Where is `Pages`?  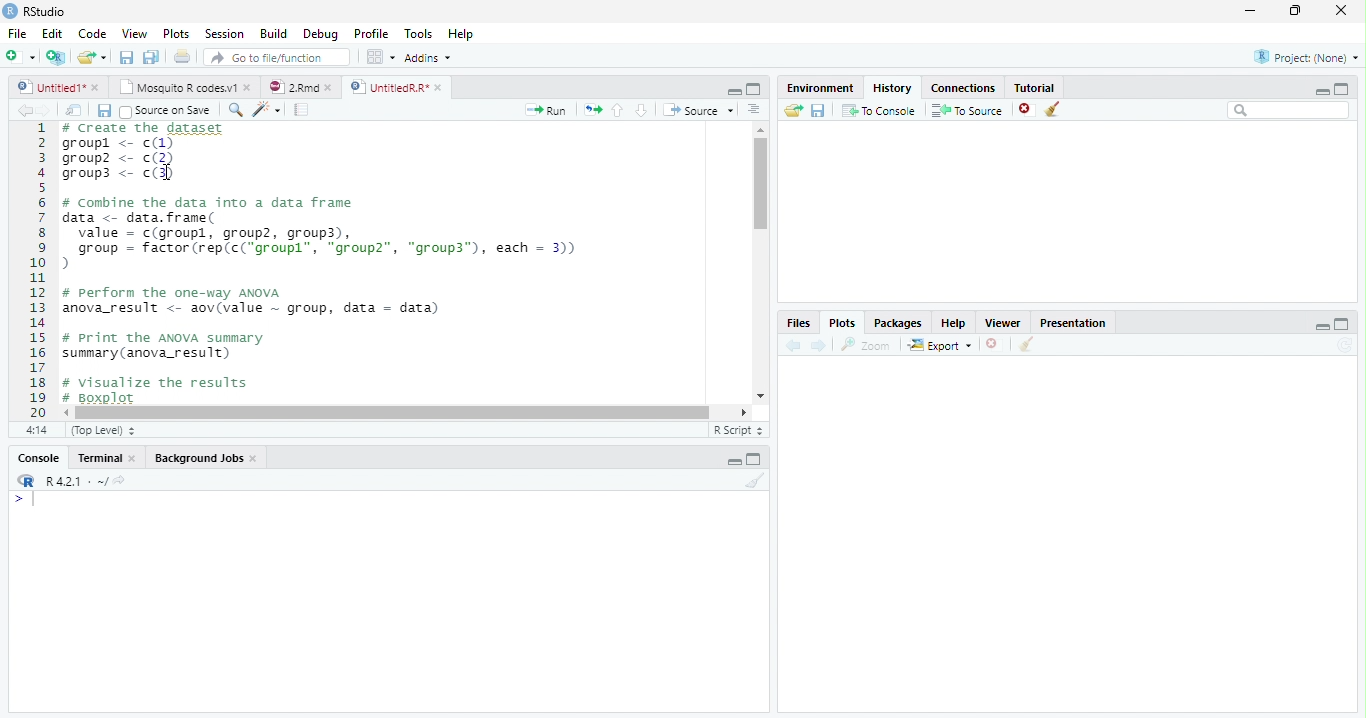 Pages is located at coordinates (301, 111).